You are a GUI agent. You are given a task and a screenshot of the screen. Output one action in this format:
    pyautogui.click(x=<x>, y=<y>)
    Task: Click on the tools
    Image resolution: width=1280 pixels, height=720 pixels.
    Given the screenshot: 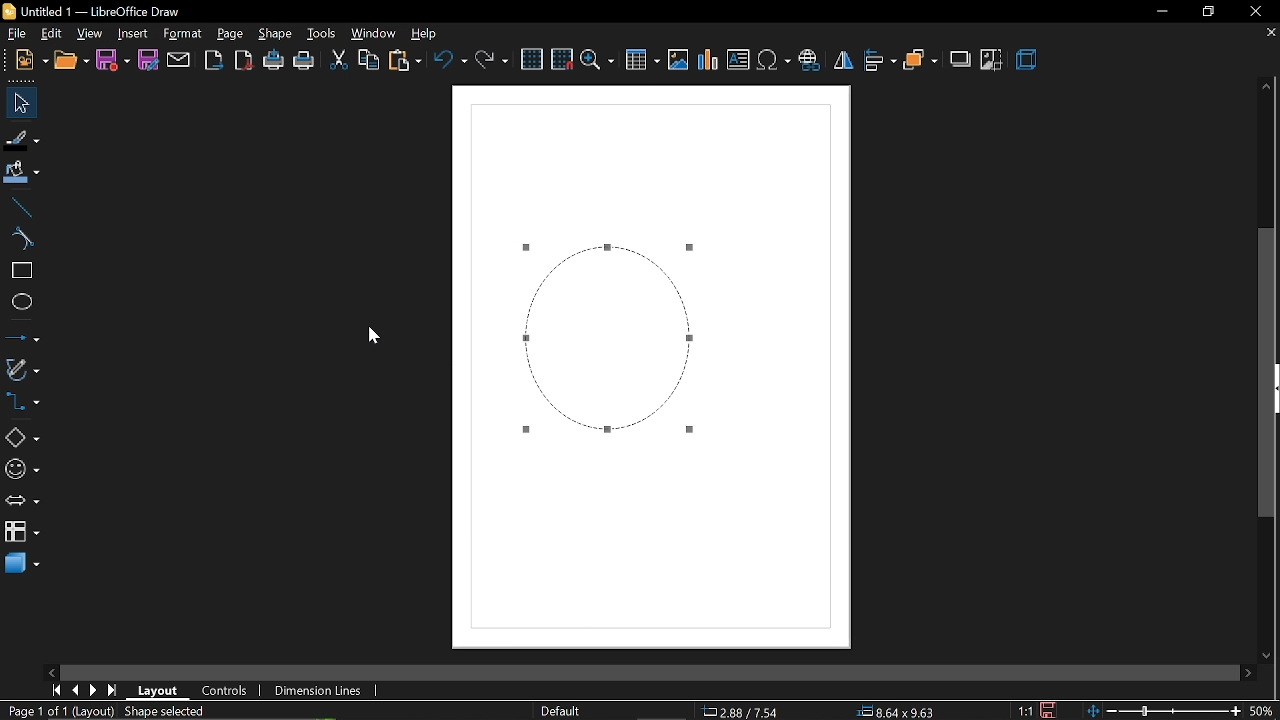 What is the action you would take?
    pyautogui.click(x=322, y=34)
    